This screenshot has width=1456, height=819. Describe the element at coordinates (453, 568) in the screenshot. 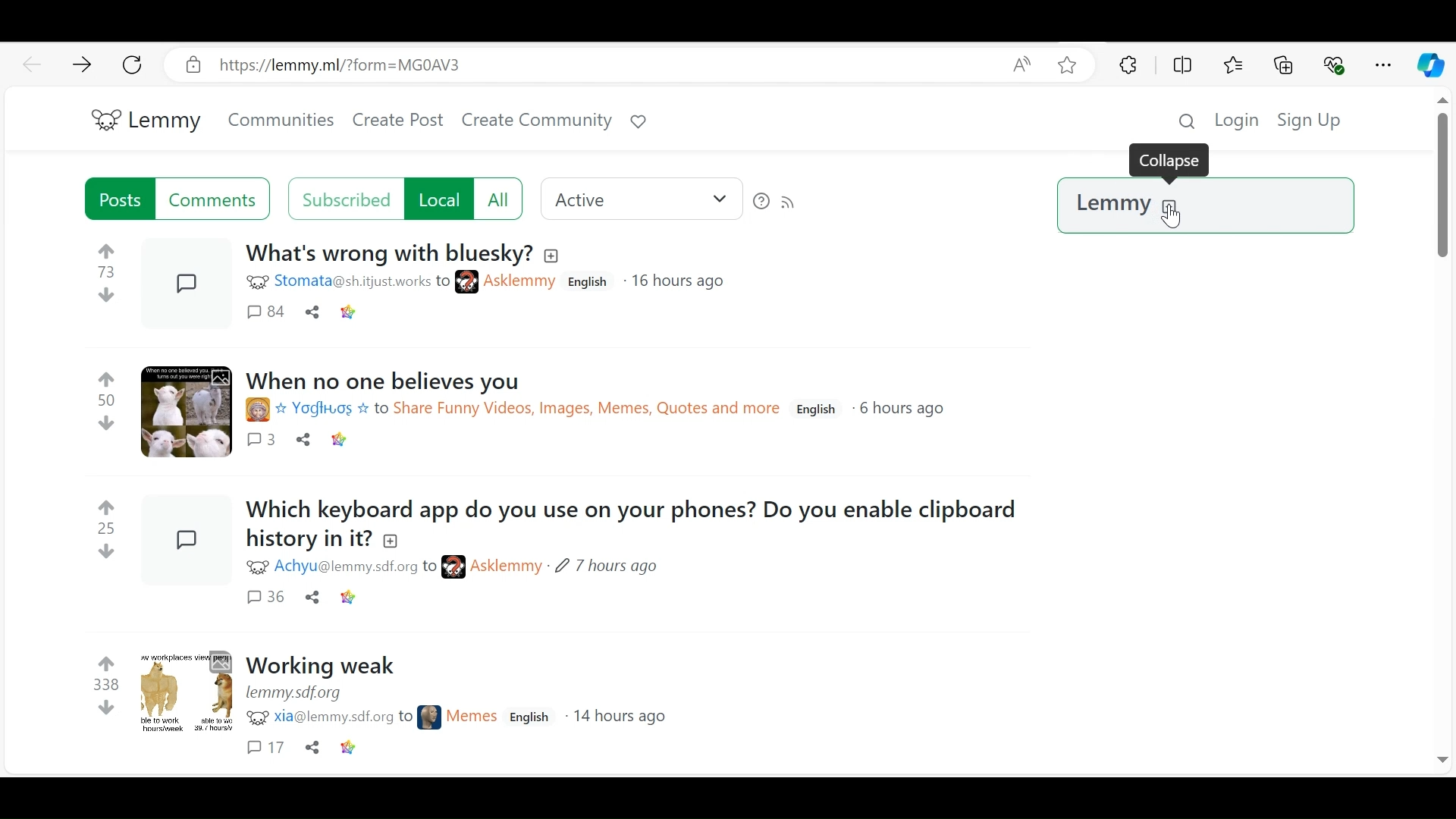

I see `icon` at that location.